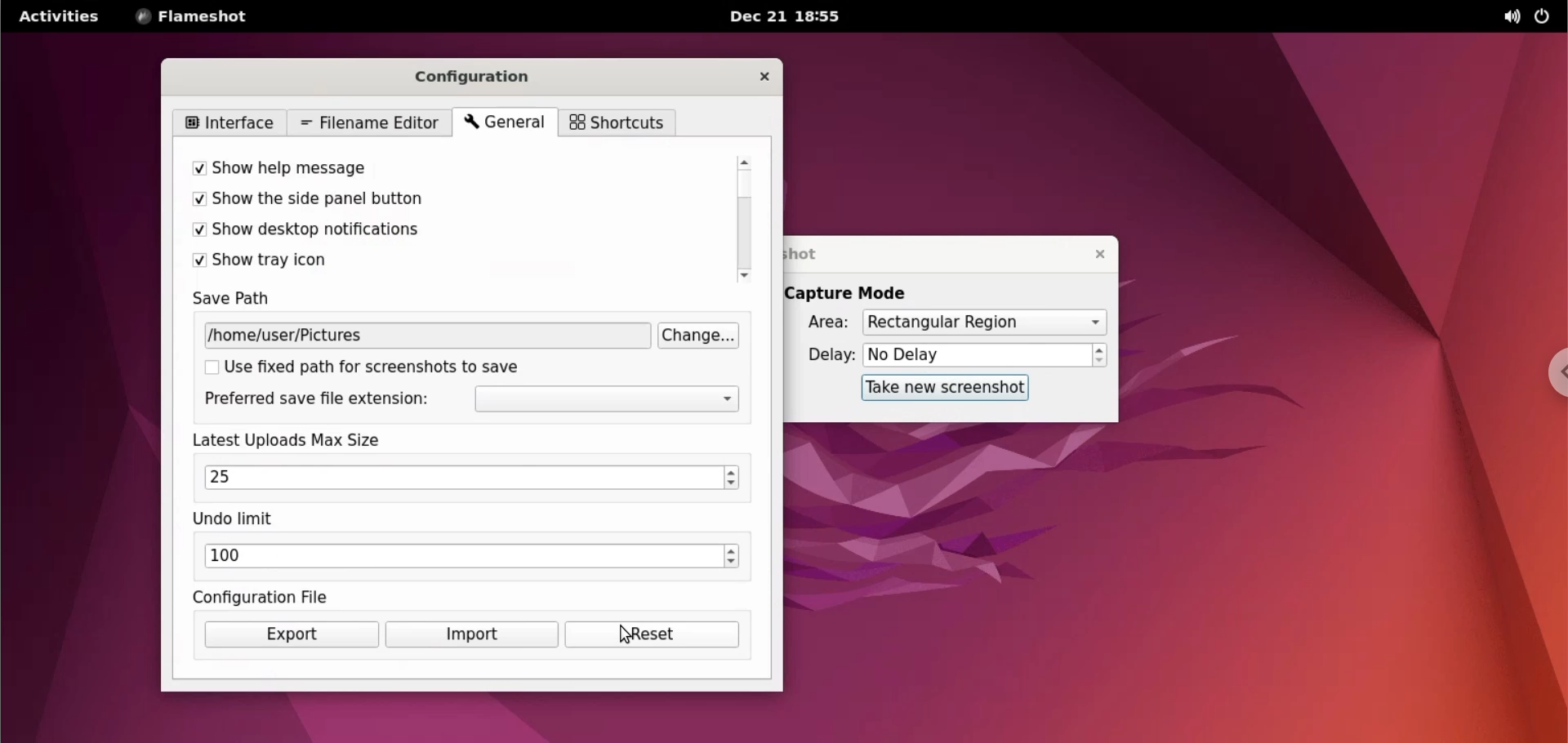 Image resolution: width=1568 pixels, height=743 pixels. I want to click on shortcuts, so click(615, 122).